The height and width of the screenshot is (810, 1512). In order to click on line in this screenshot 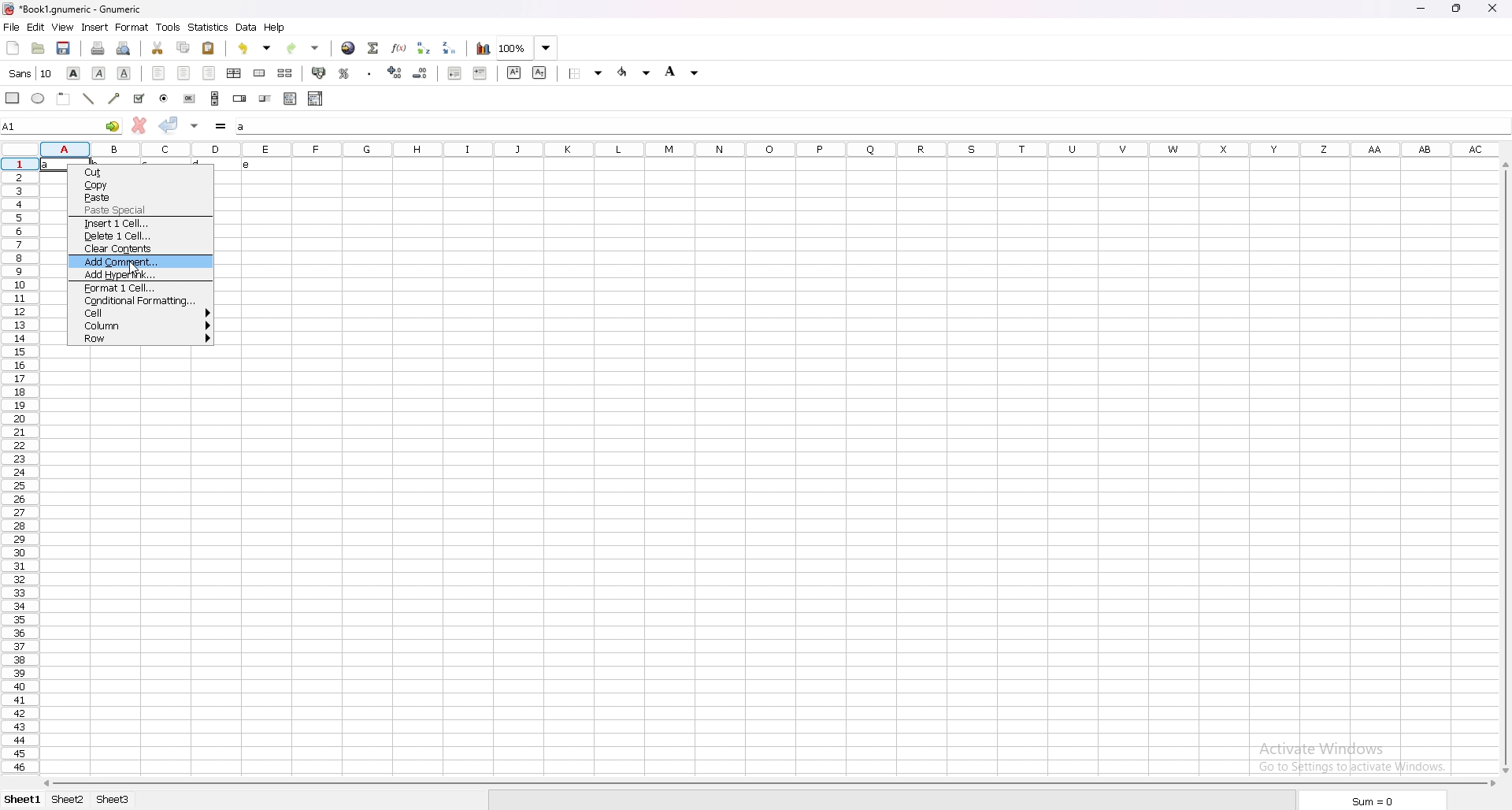, I will do `click(89, 98)`.